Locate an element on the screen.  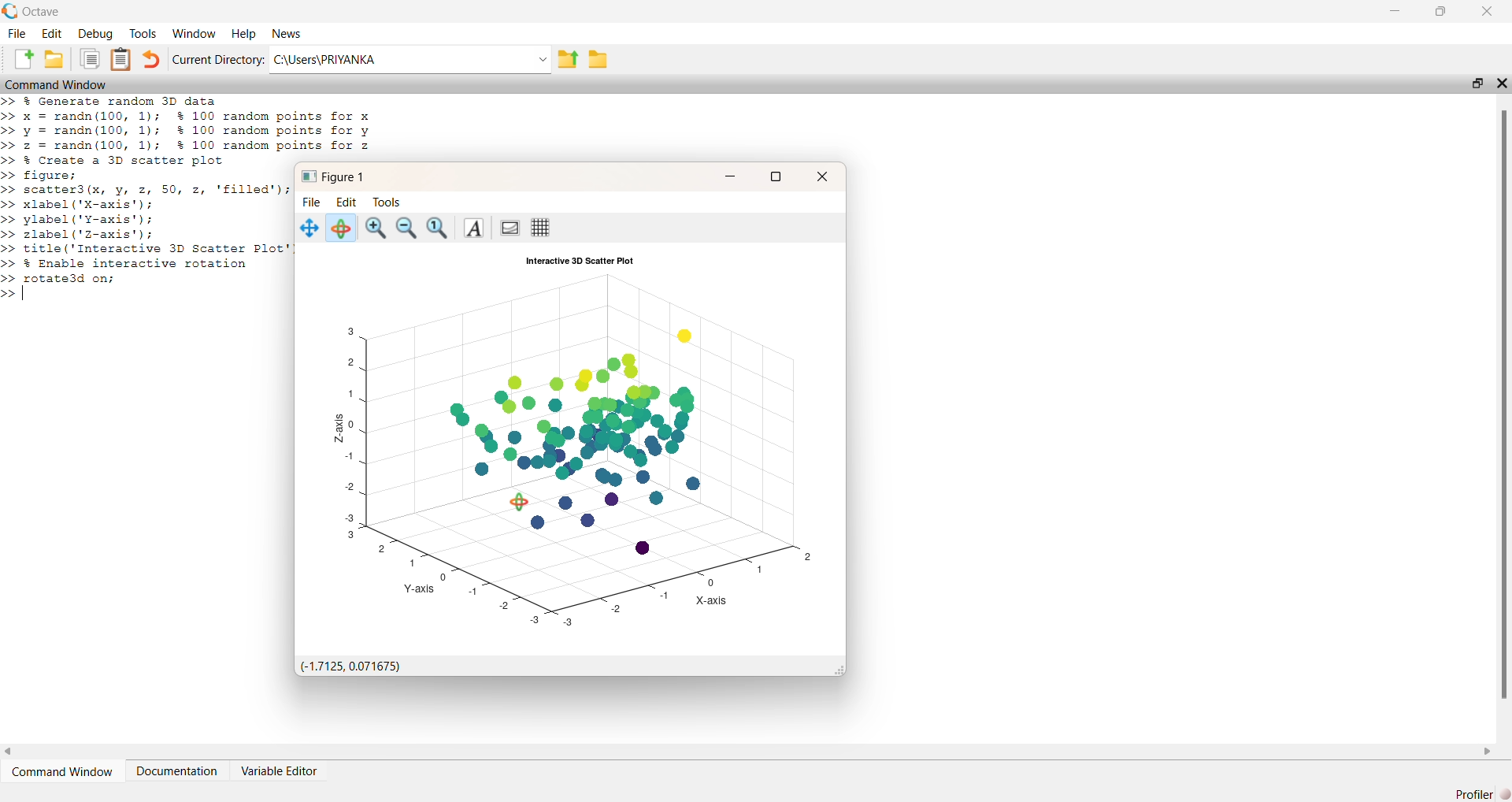
File is located at coordinates (312, 202).